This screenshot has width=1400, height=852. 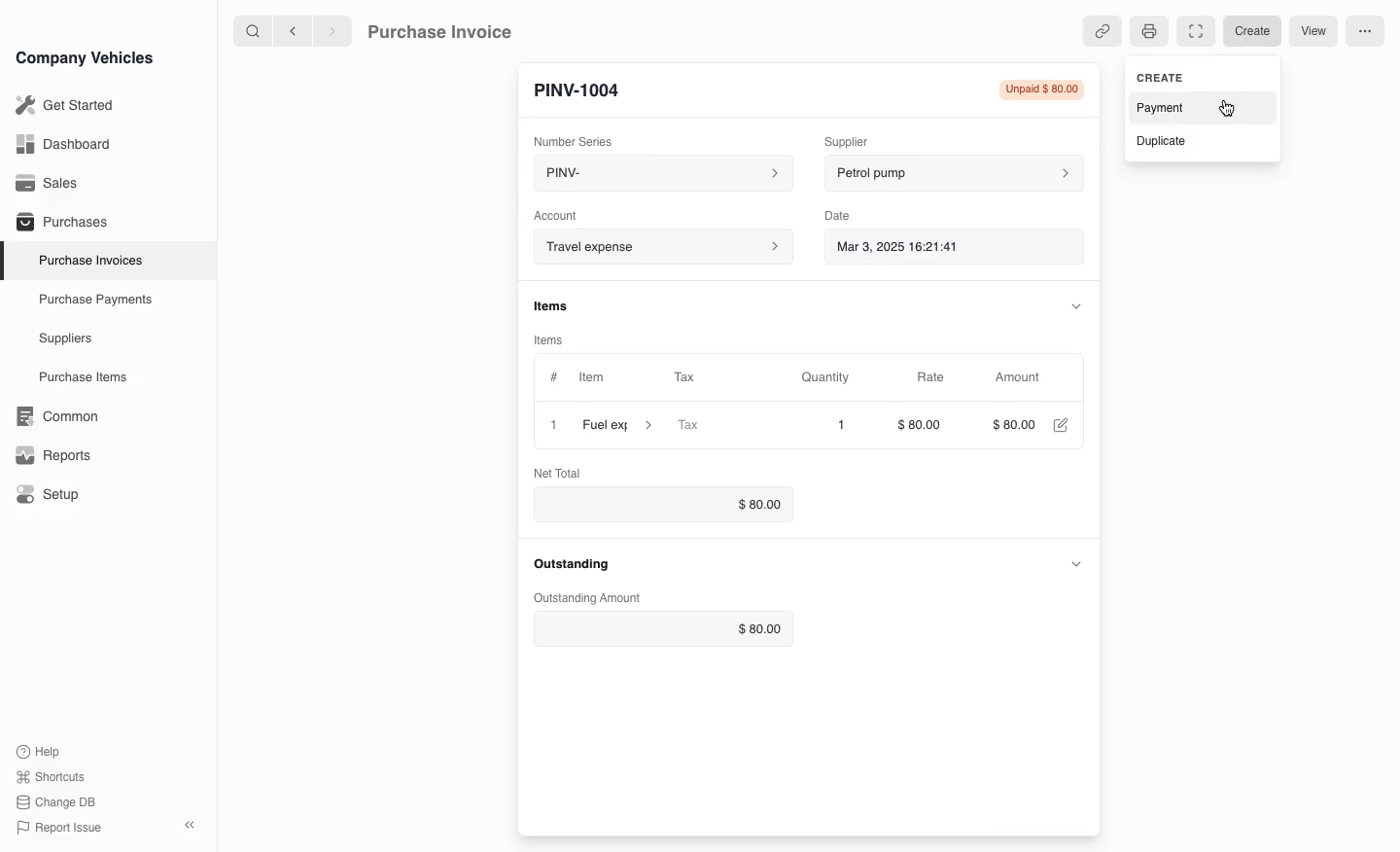 I want to click on Purchases, so click(x=57, y=224).